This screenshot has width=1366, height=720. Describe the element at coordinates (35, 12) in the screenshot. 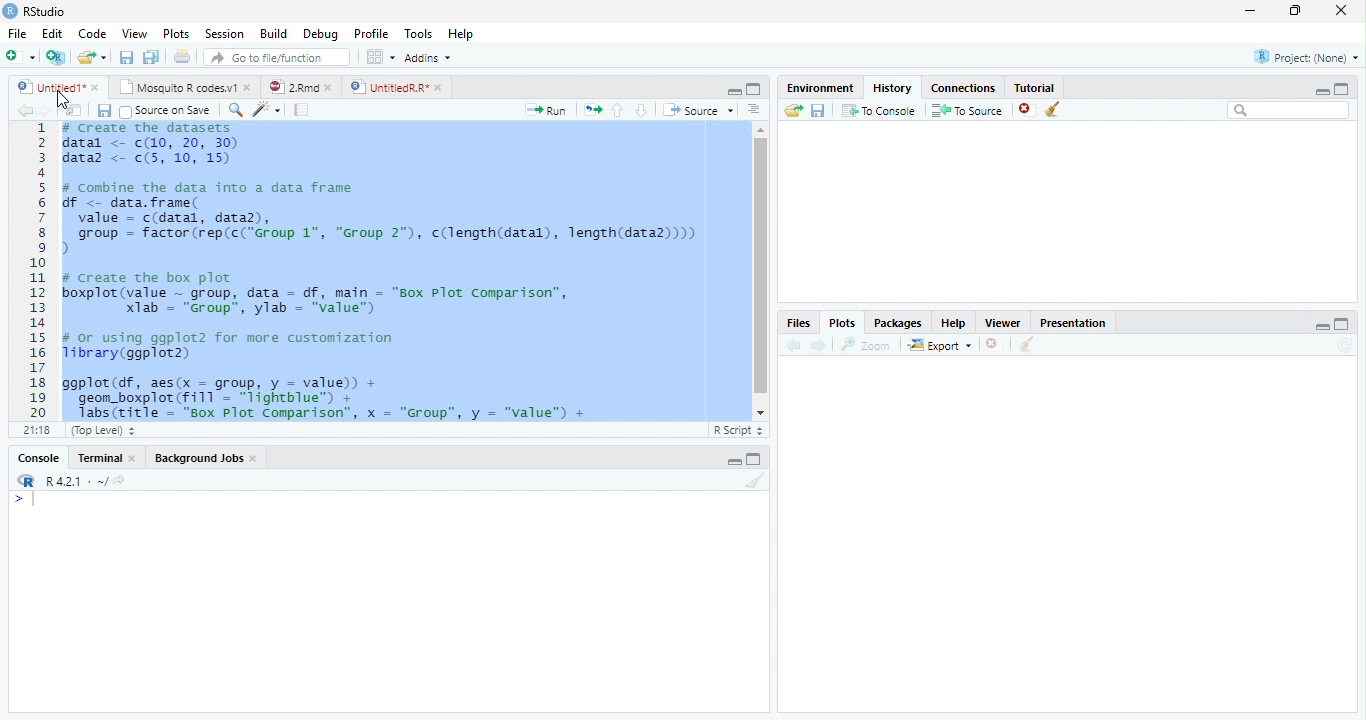

I see `RStudio` at that location.